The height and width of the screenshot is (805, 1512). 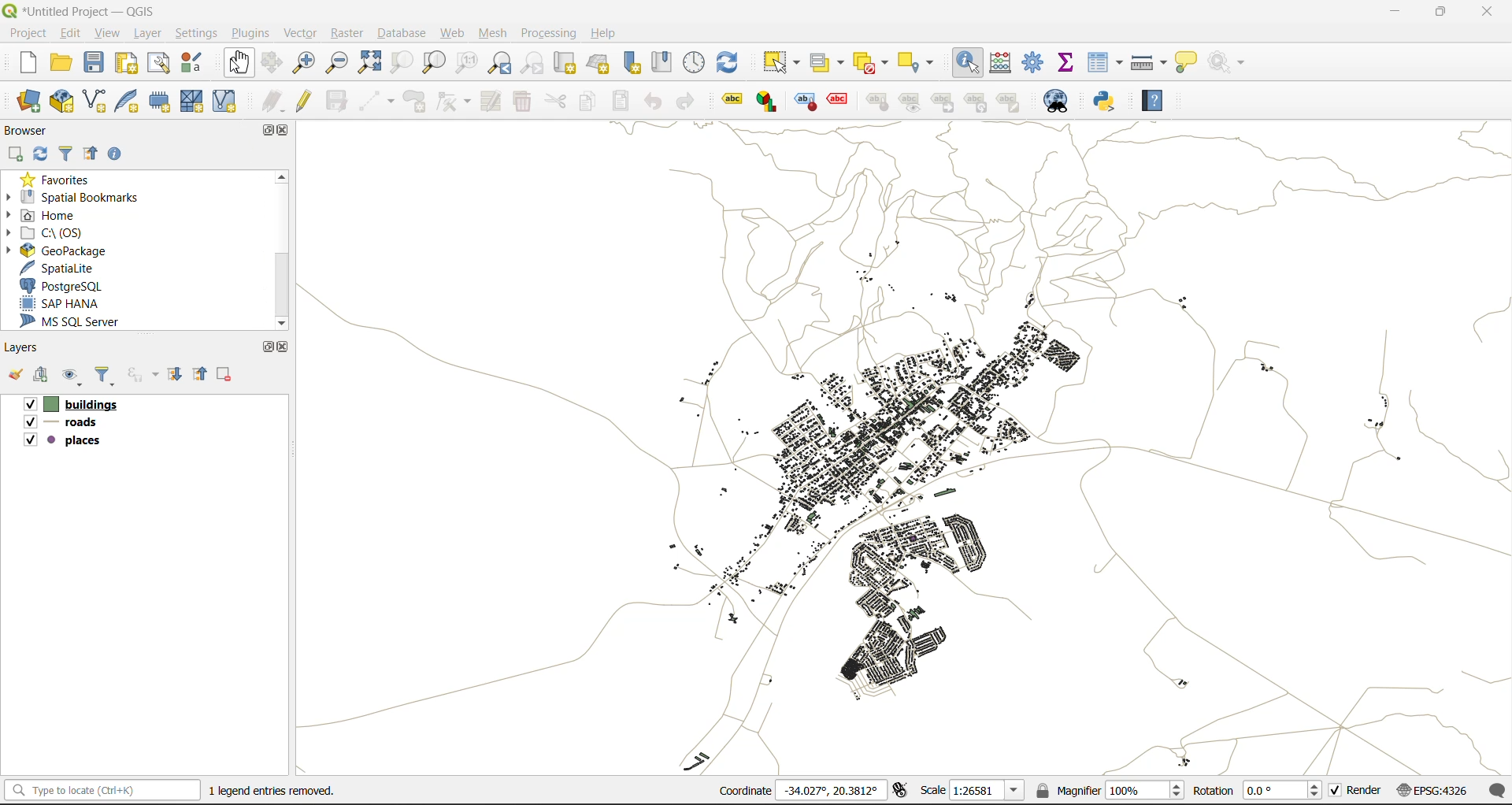 What do you see at coordinates (272, 99) in the screenshot?
I see `edits` at bounding box center [272, 99].